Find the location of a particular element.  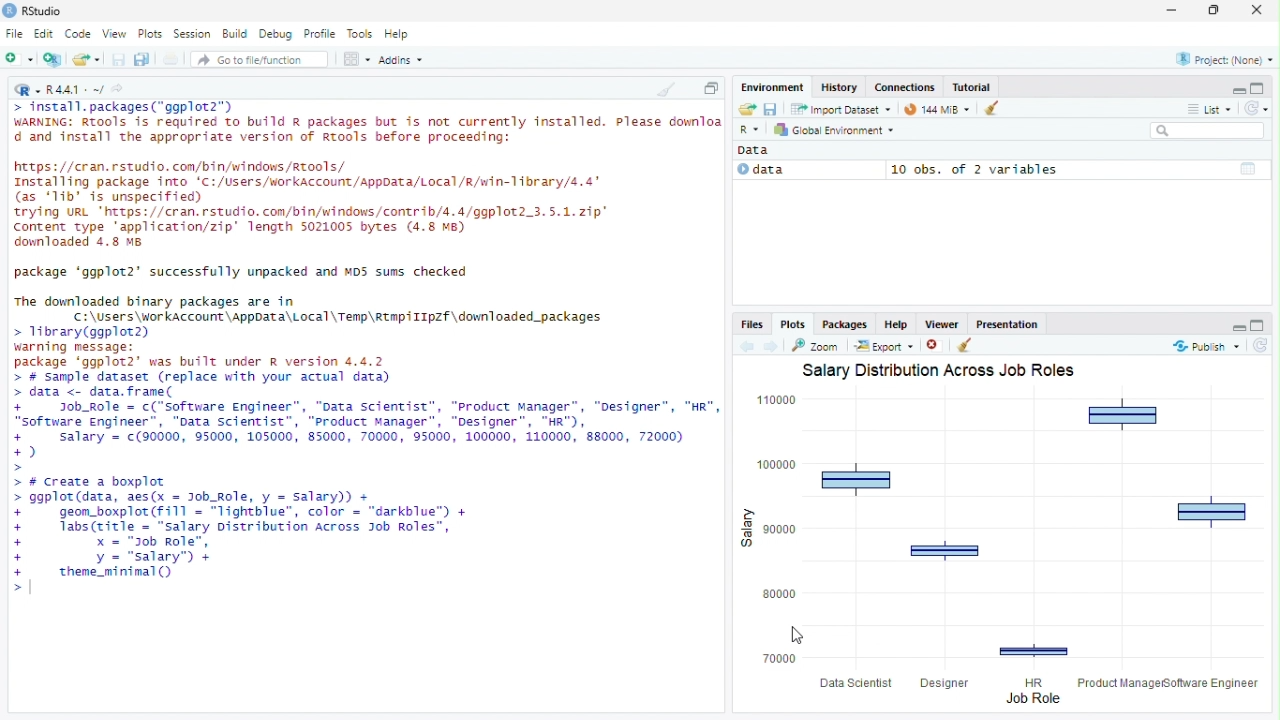

R language version - R 4.4.4 is located at coordinates (75, 91).